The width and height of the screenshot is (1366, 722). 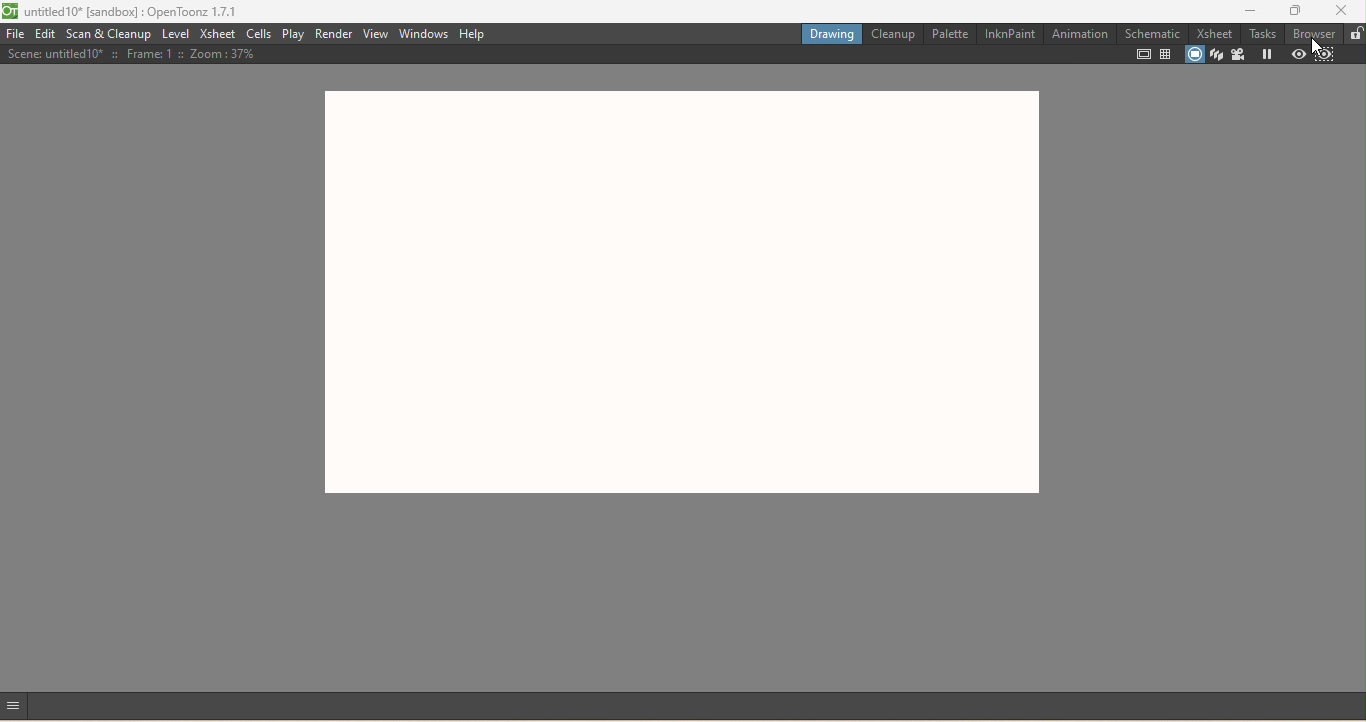 What do you see at coordinates (1153, 34) in the screenshot?
I see `Schematic` at bounding box center [1153, 34].